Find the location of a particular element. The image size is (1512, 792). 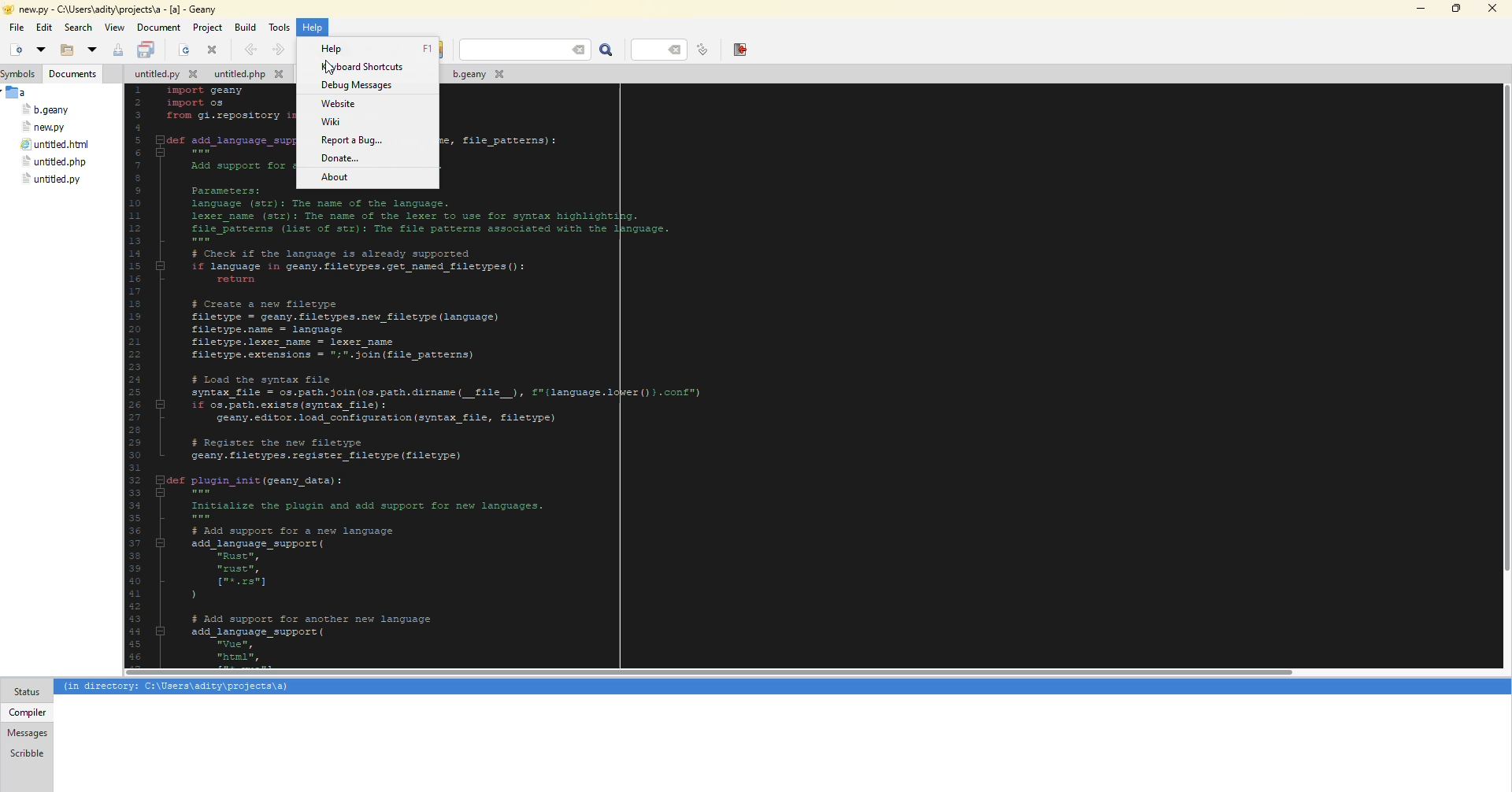

wiki is located at coordinates (331, 123).